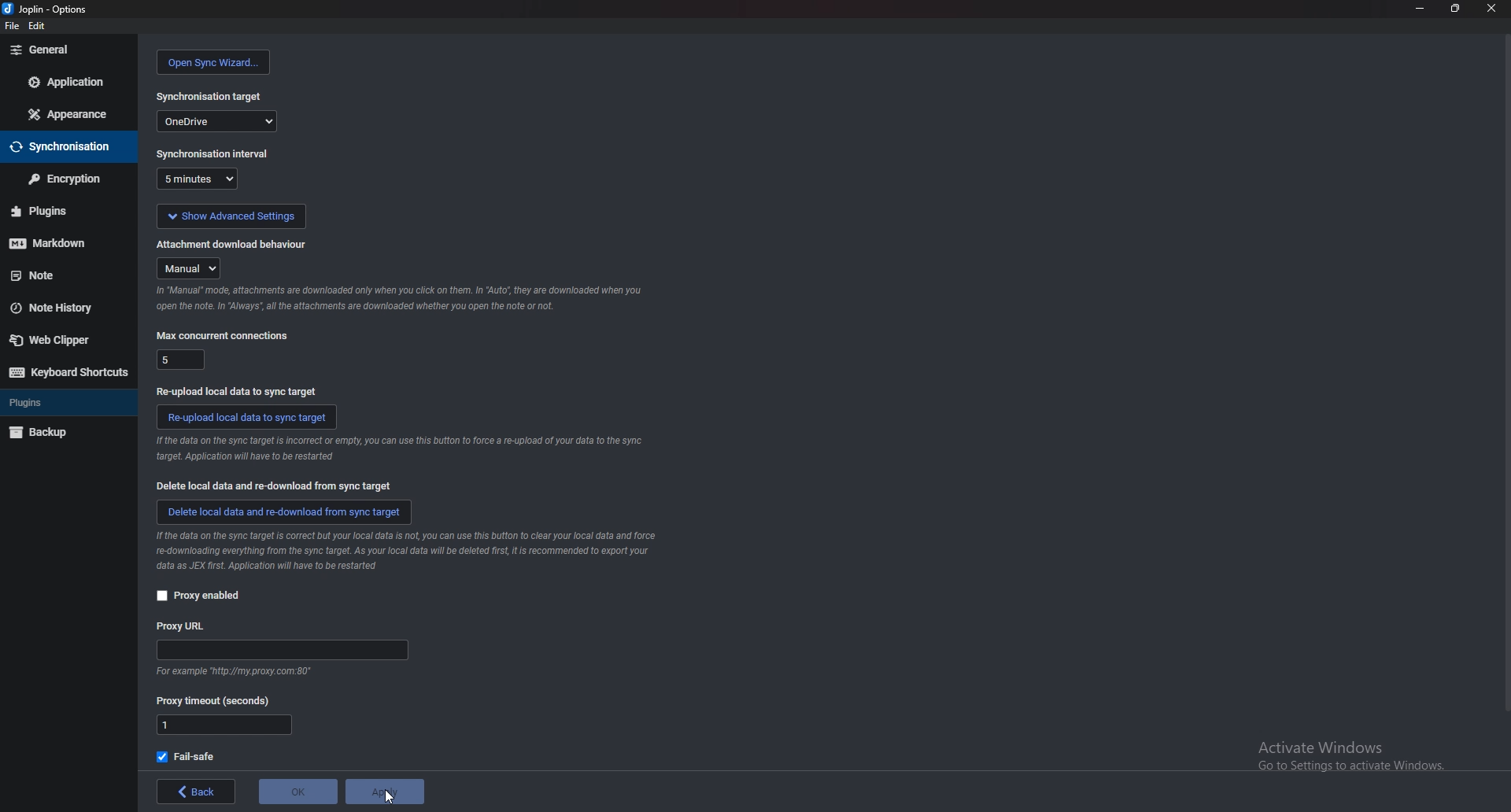  I want to click on resize, so click(1452, 8).